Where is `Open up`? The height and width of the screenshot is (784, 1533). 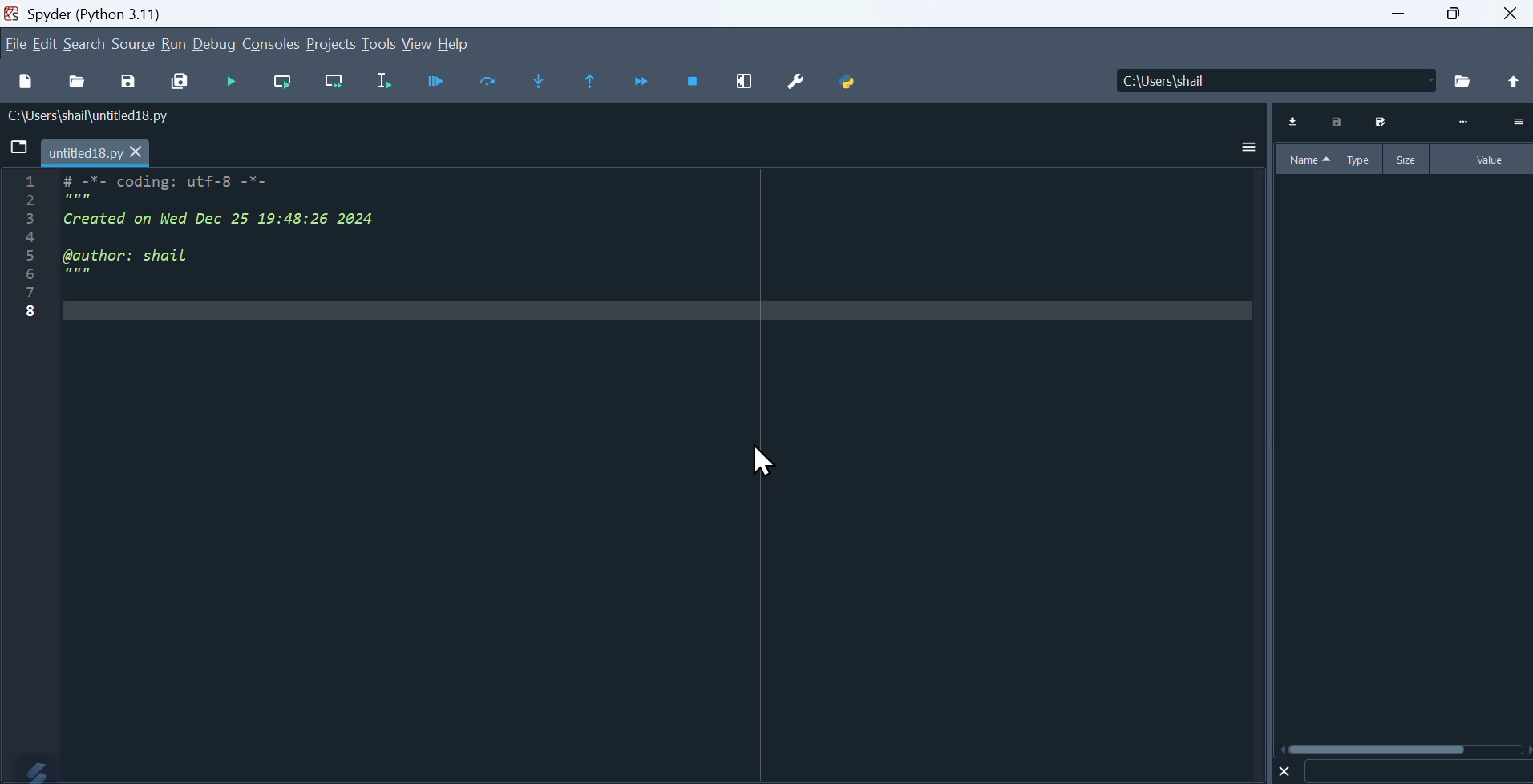 Open up is located at coordinates (1511, 83).